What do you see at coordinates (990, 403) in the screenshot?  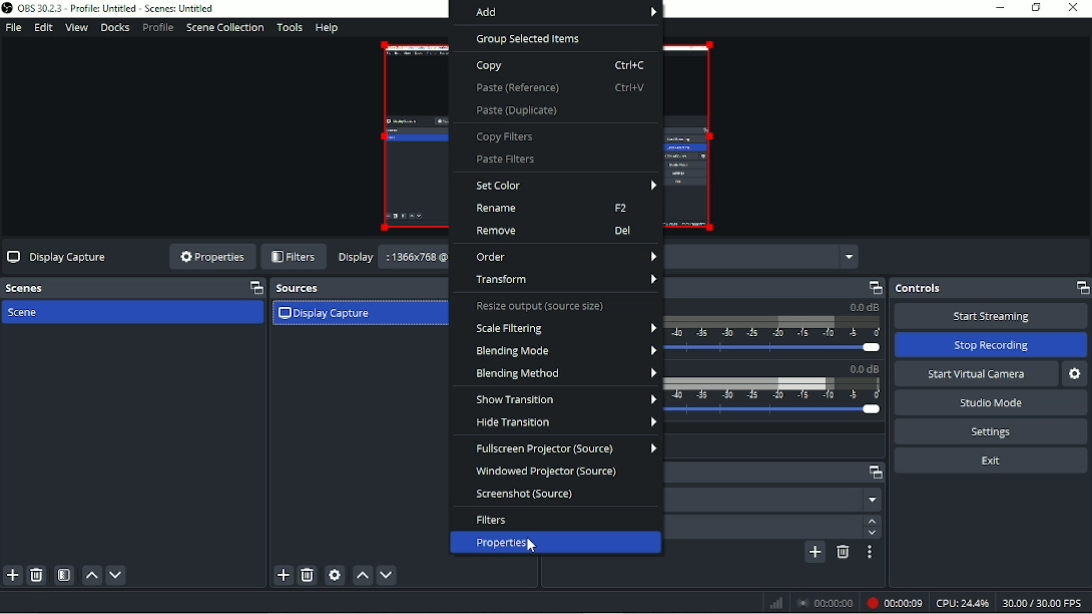 I see `Studio mode` at bounding box center [990, 403].